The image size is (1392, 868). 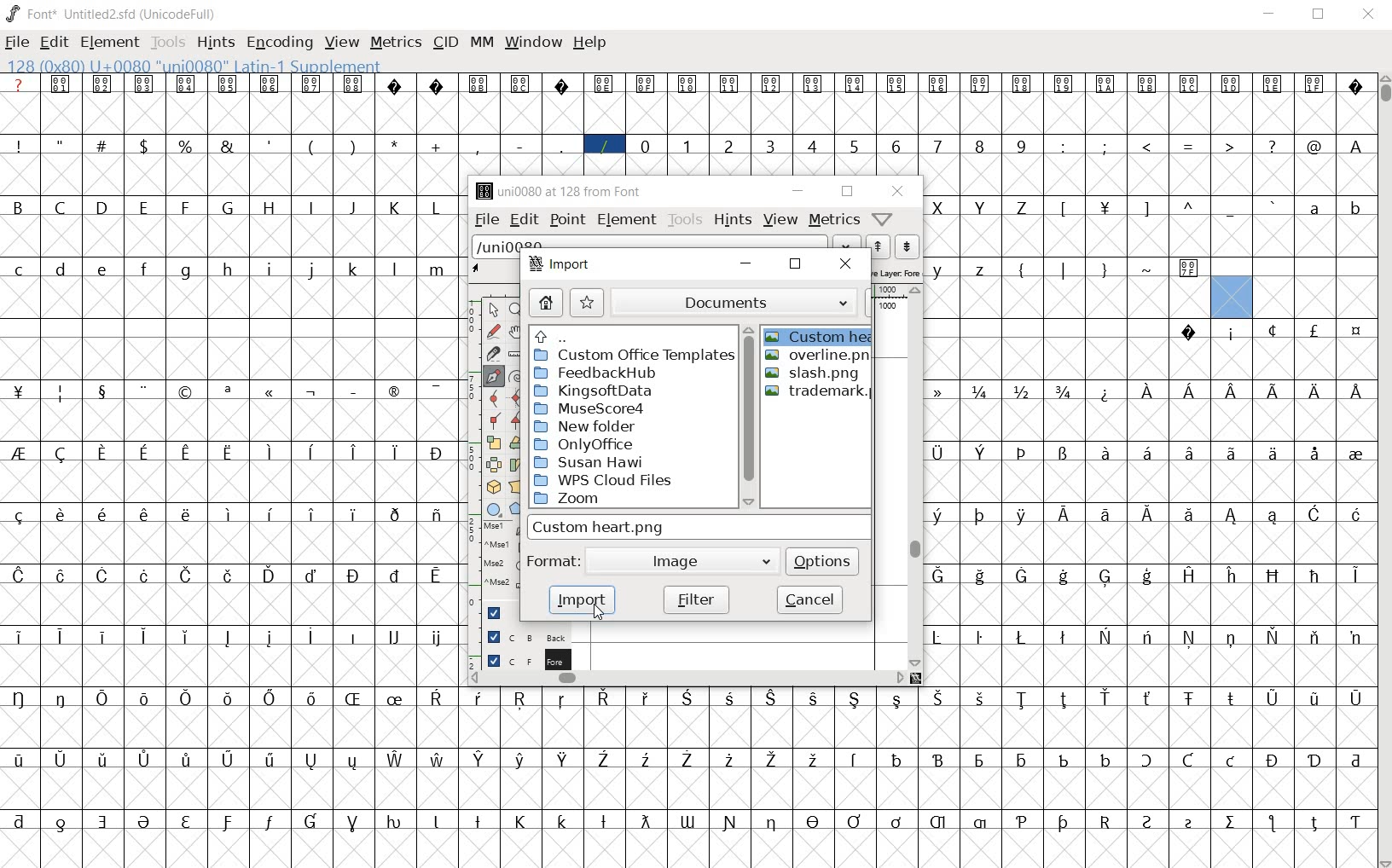 What do you see at coordinates (312, 576) in the screenshot?
I see `glyph` at bounding box center [312, 576].